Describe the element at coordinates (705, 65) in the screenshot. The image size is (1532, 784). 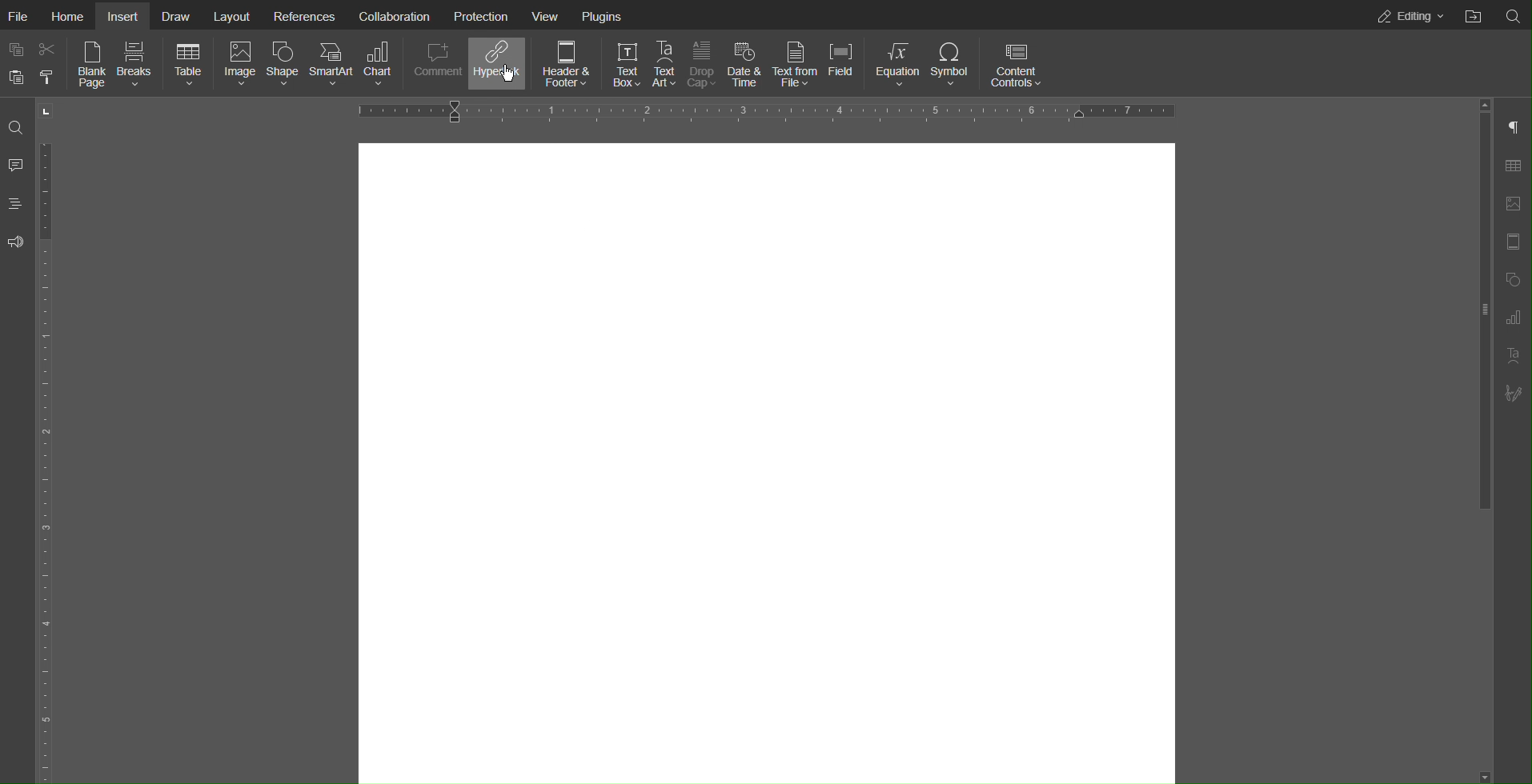
I see `Drop Cap` at that location.